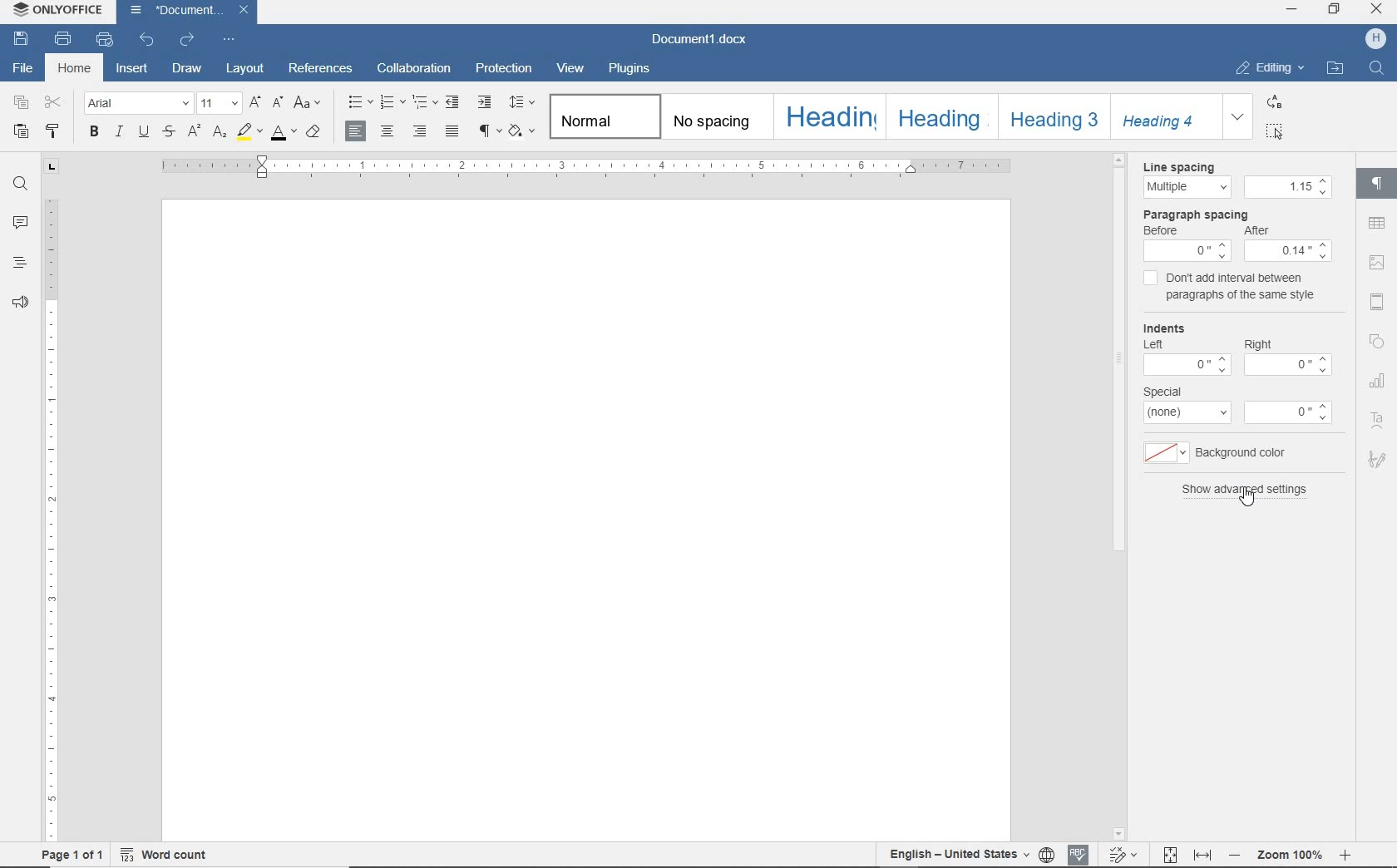 The height and width of the screenshot is (868, 1397). What do you see at coordinates (315, 133) in the screenshot?
I see `clear style` at bounding box center [315, 133].